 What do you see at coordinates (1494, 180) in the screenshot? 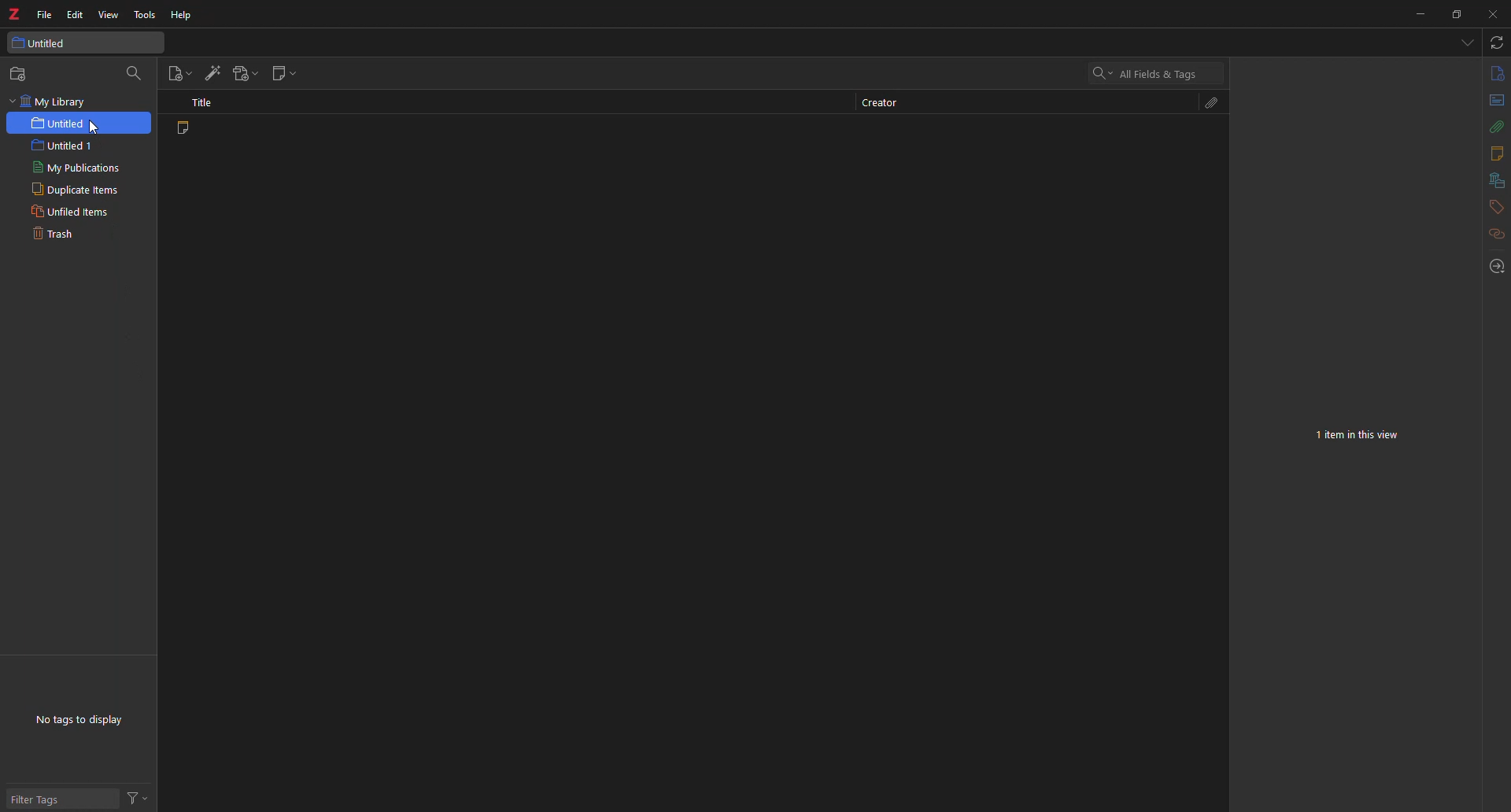
I see `library` at bounding box center [1494, 180].